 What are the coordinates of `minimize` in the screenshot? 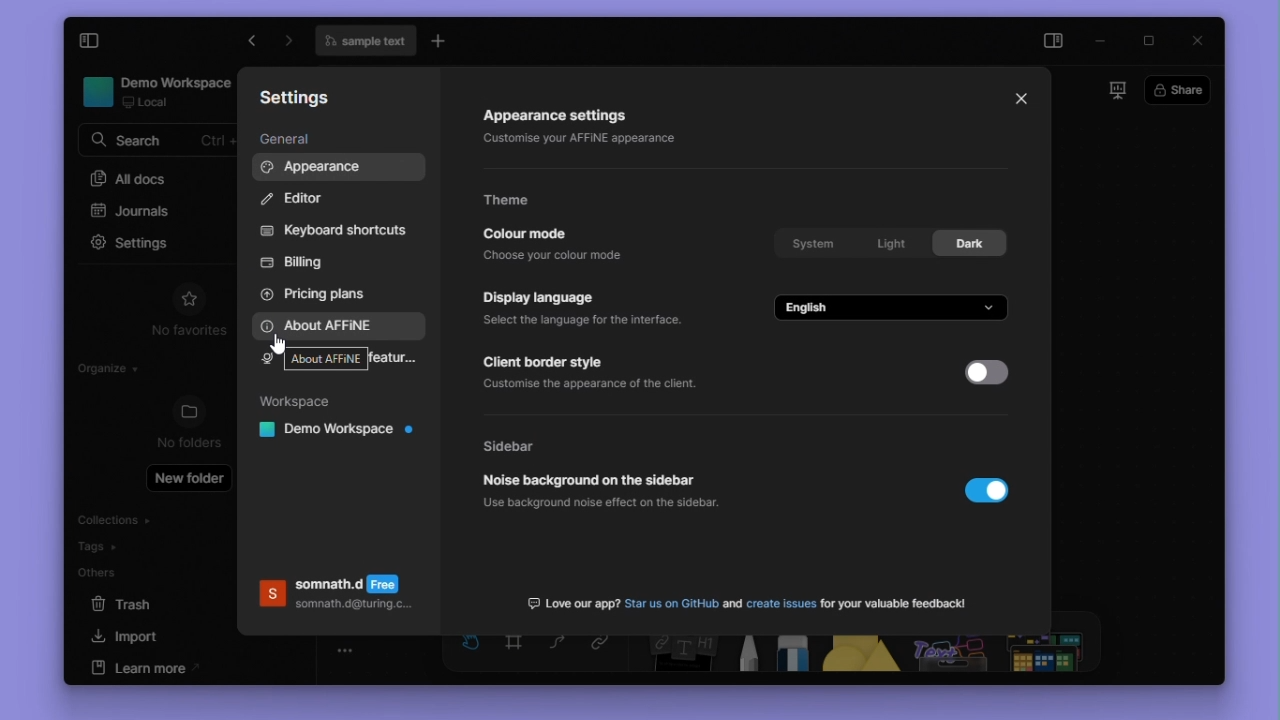 It's located at (1108, 41).